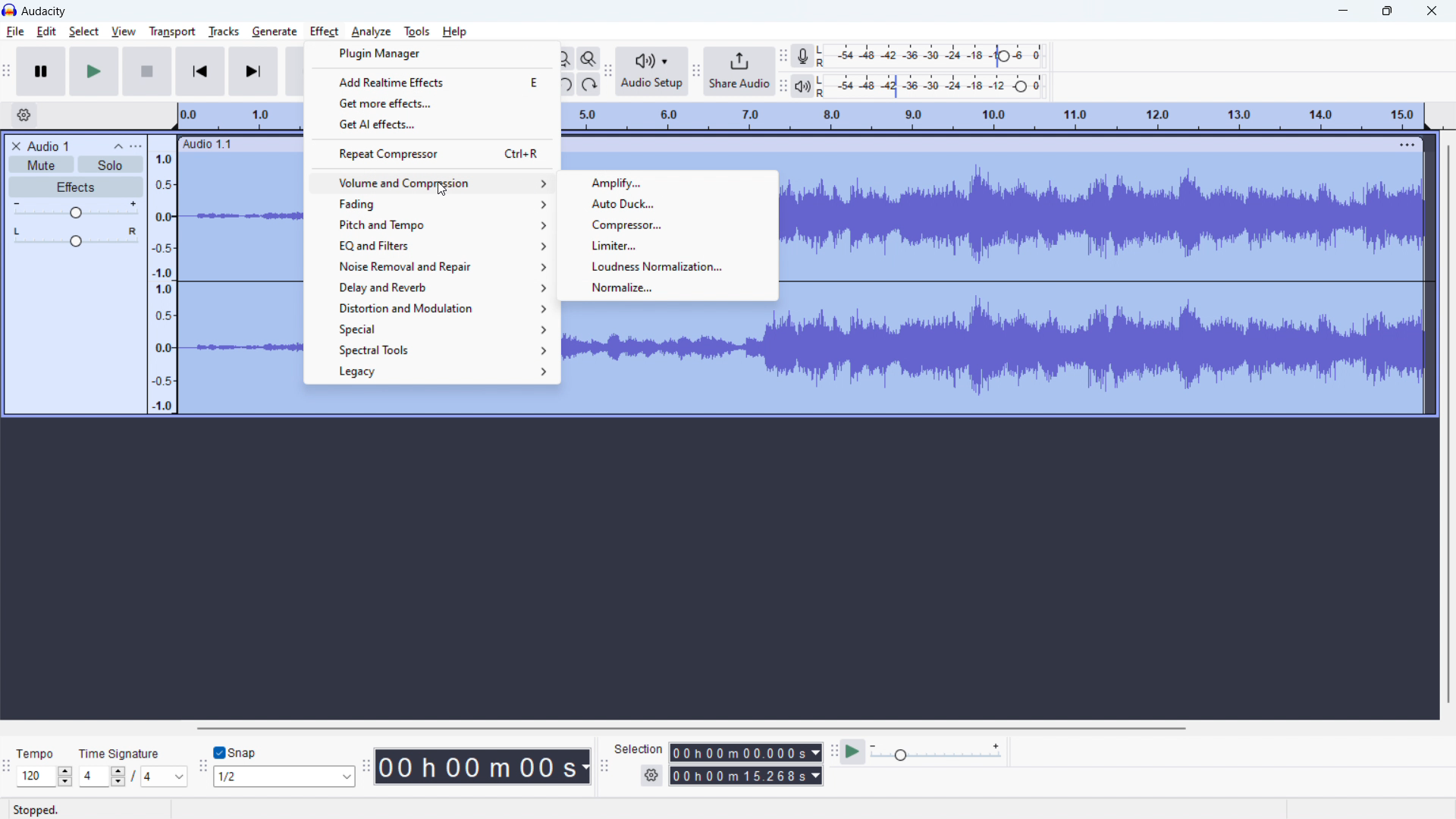 This screenshot has width=1456, height=819. What do you see at coordinates (429, 349) in the screenshot?
I see `spectral tools` at bounding box center [429, 349].